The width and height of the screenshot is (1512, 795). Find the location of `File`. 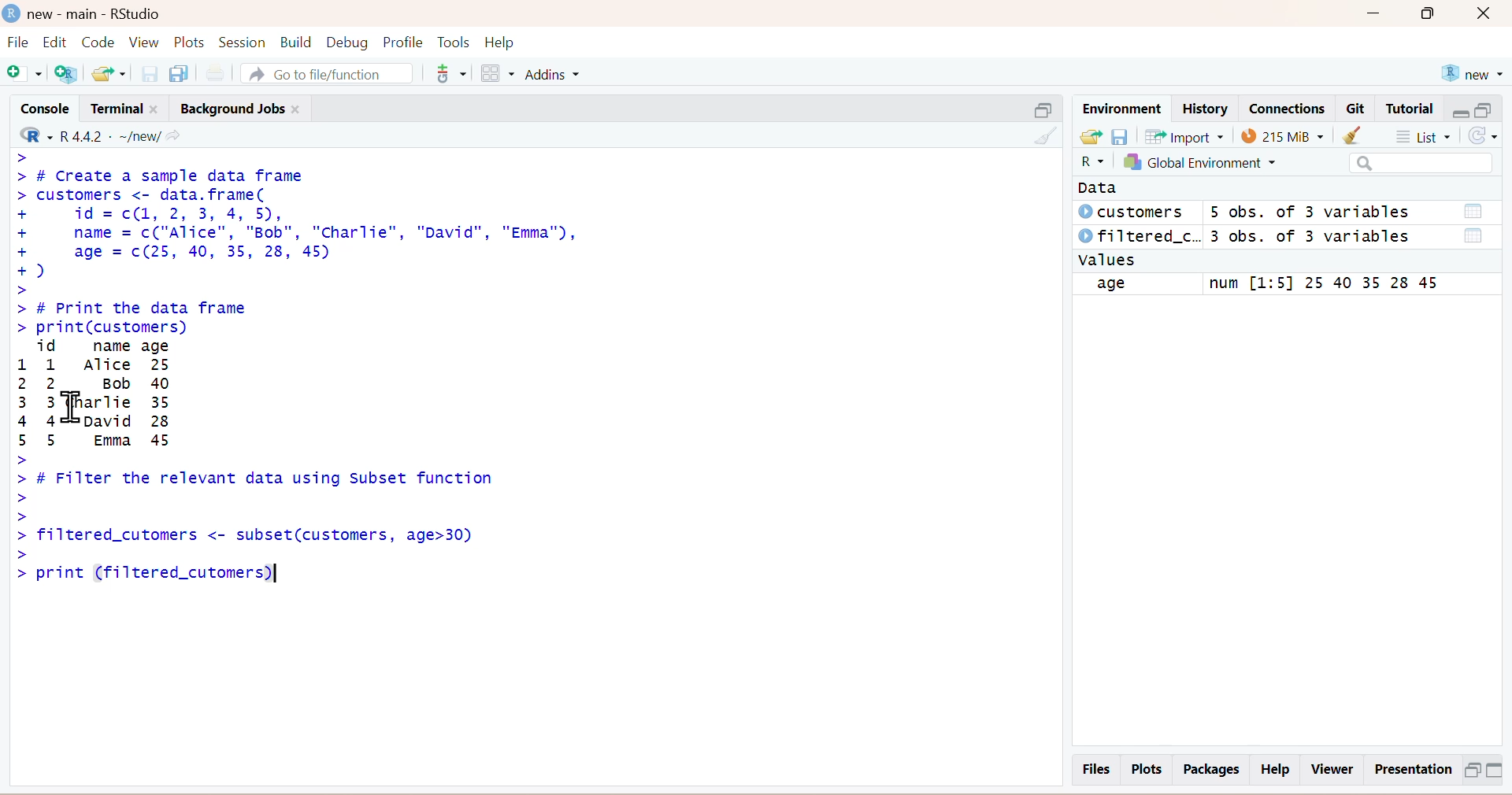

File is located at coordinates (17, 44).